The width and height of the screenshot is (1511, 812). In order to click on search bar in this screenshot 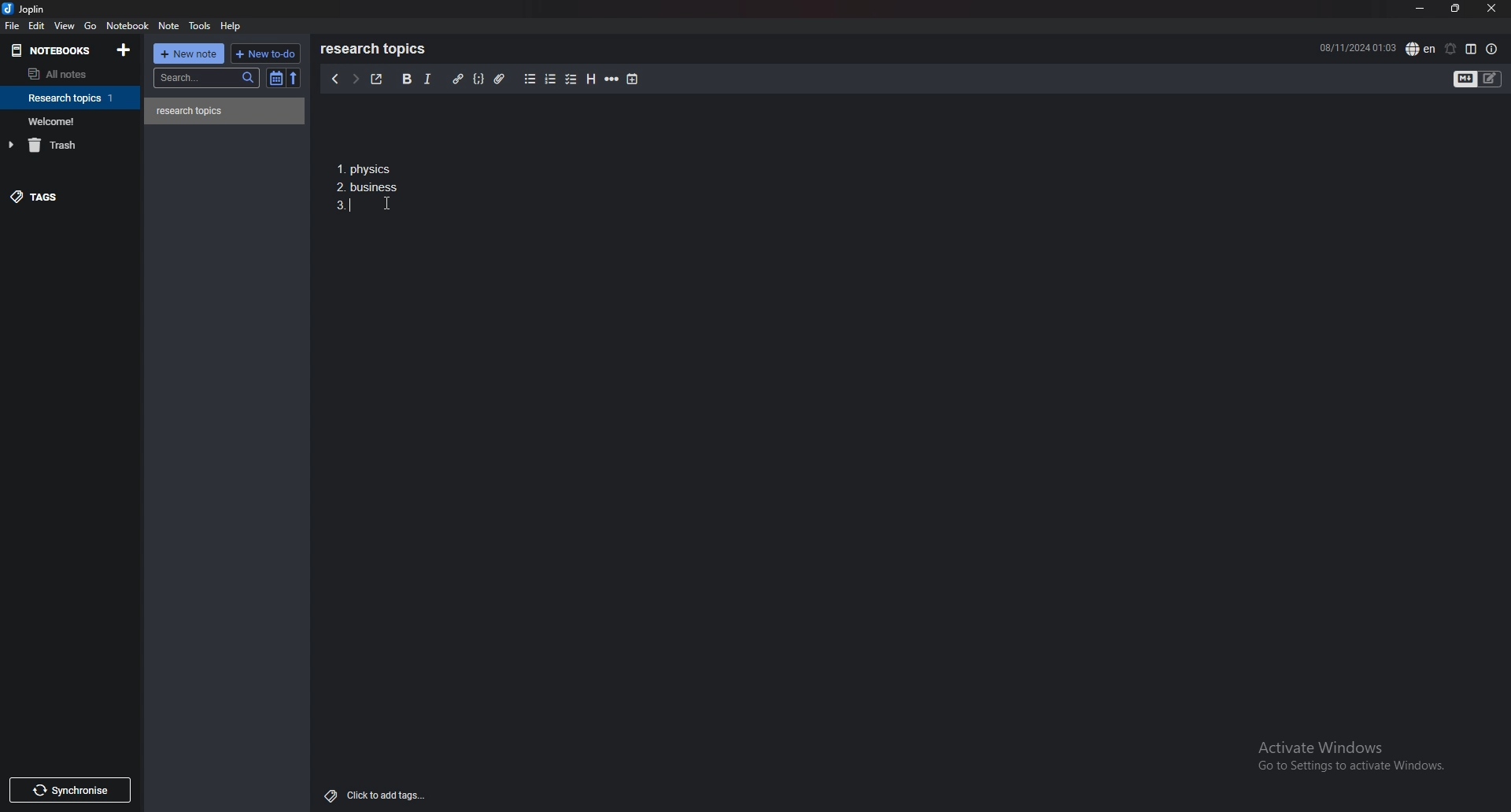, I will do `click(208, 77)`.